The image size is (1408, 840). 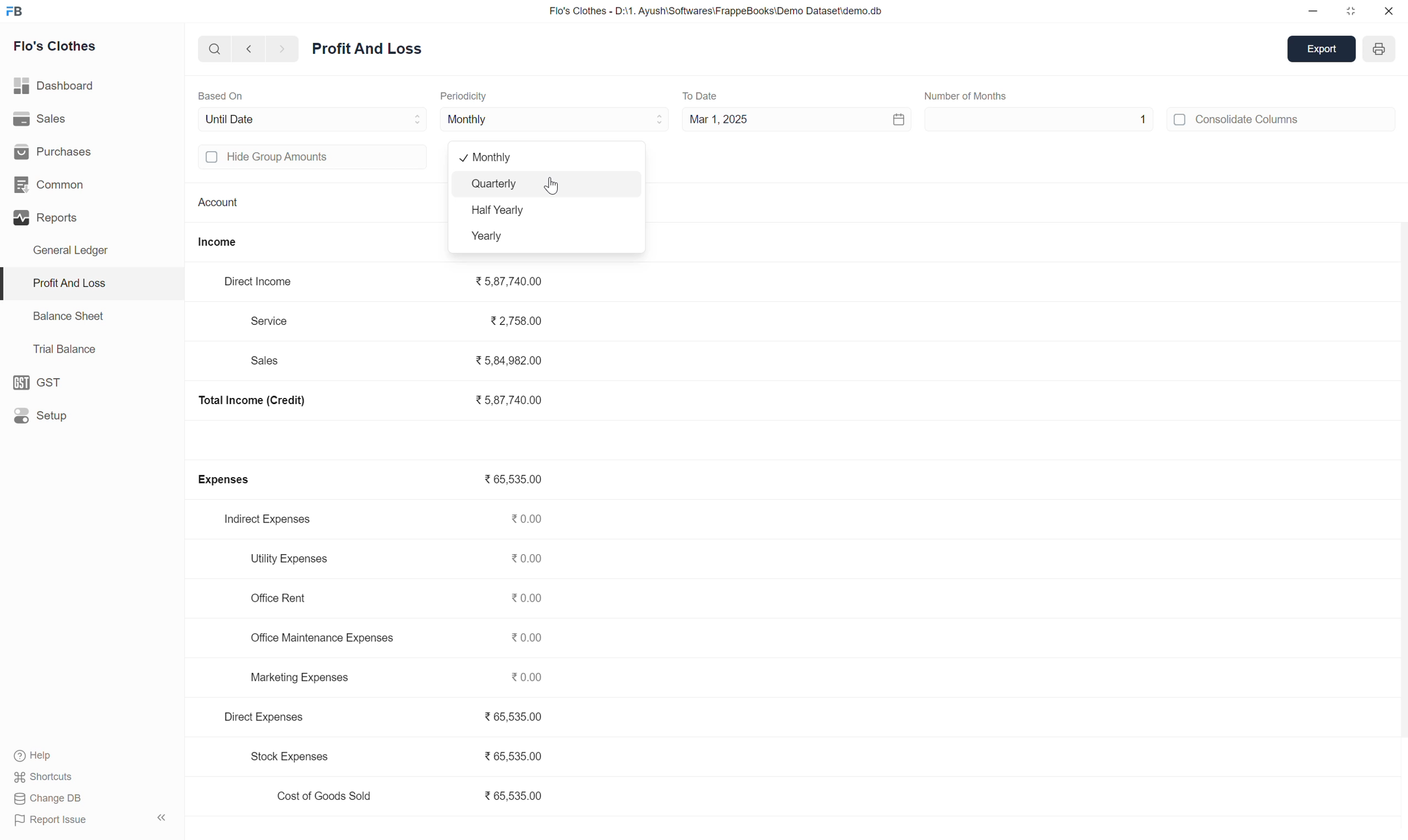 I want to click on Yearly, so click(x=487, y=235).